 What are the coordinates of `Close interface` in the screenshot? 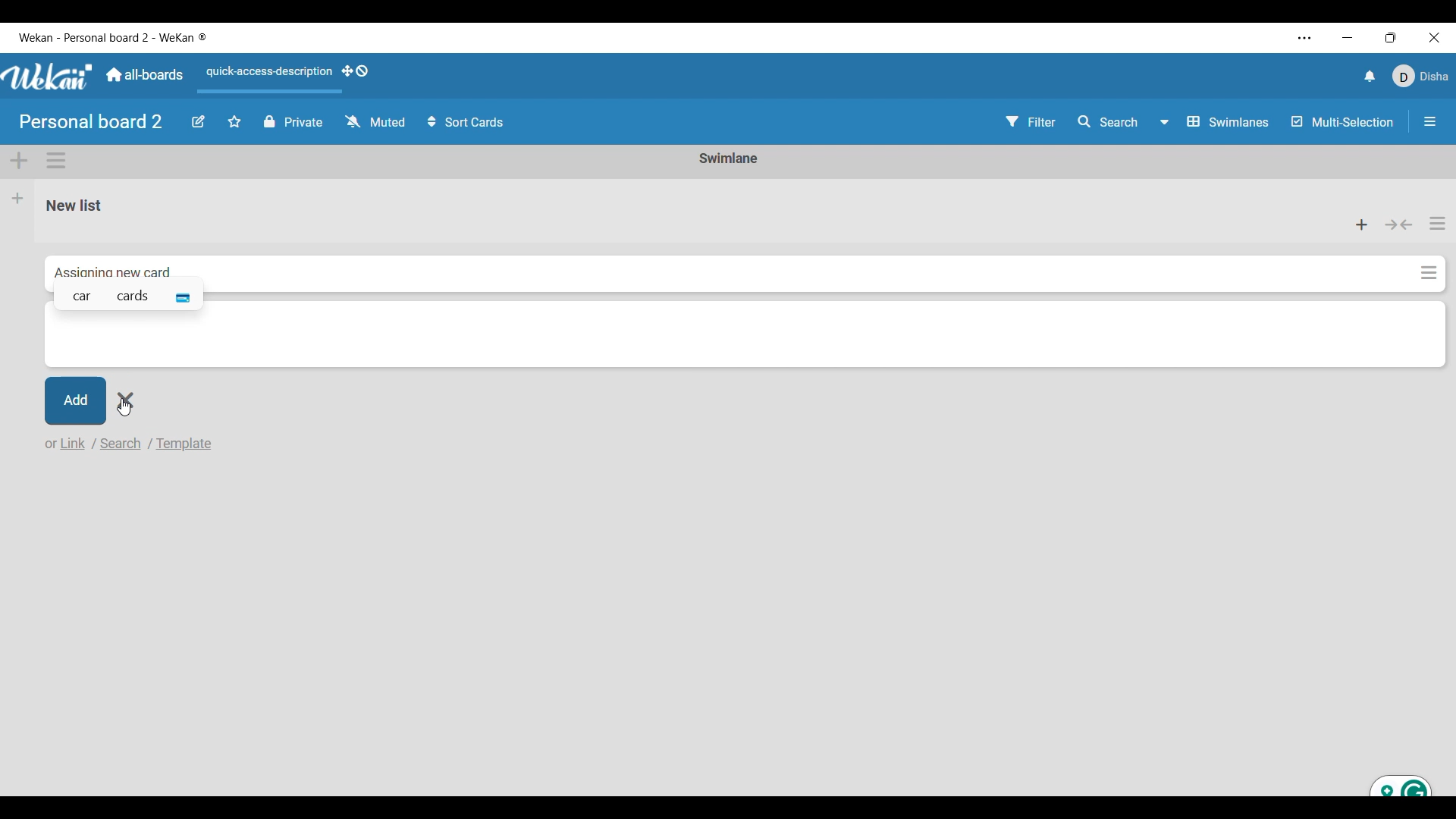 It's located at (1434, 37).